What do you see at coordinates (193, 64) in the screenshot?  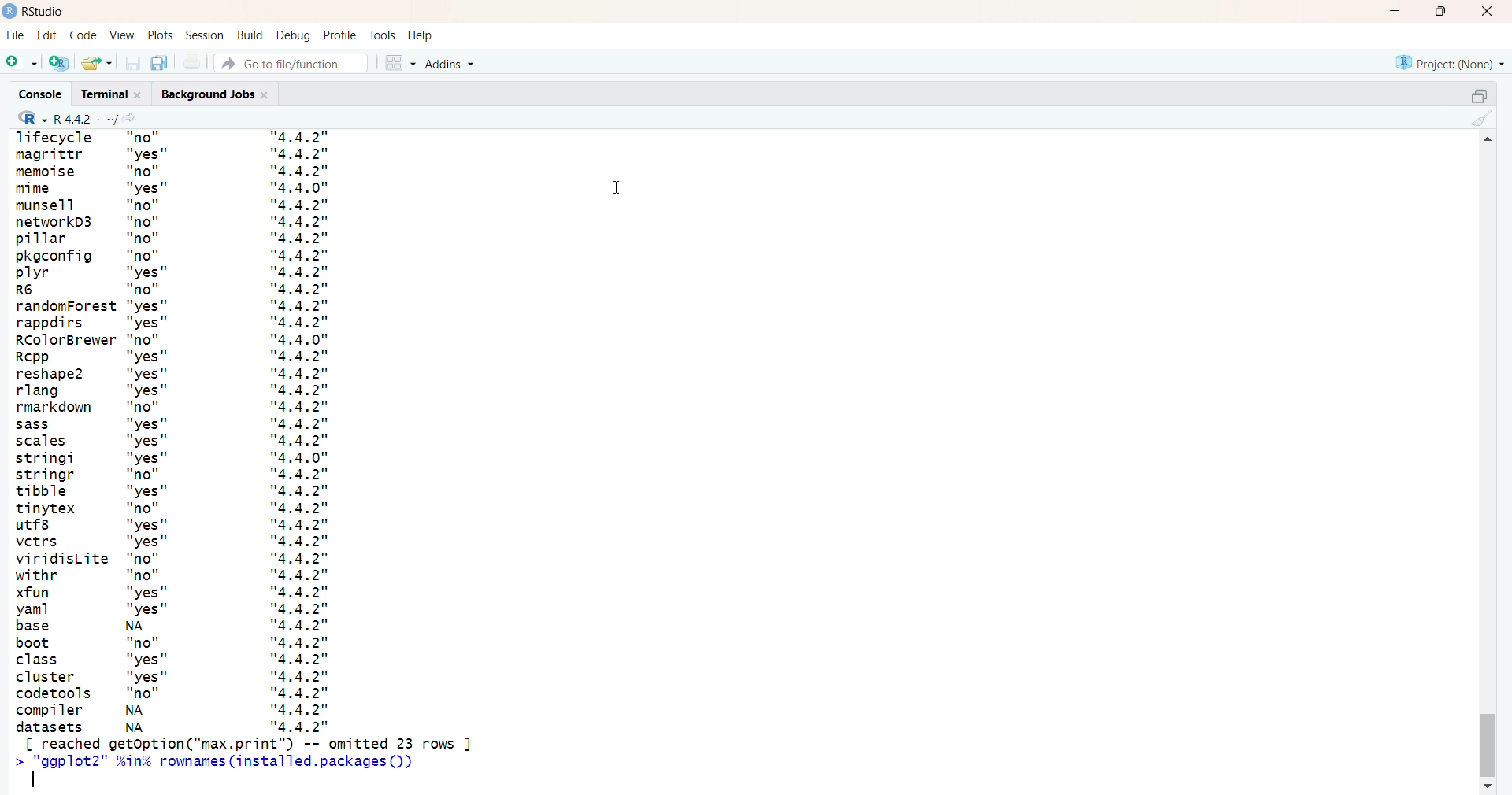 I see `print the current file` at bounding box center [193, 64].